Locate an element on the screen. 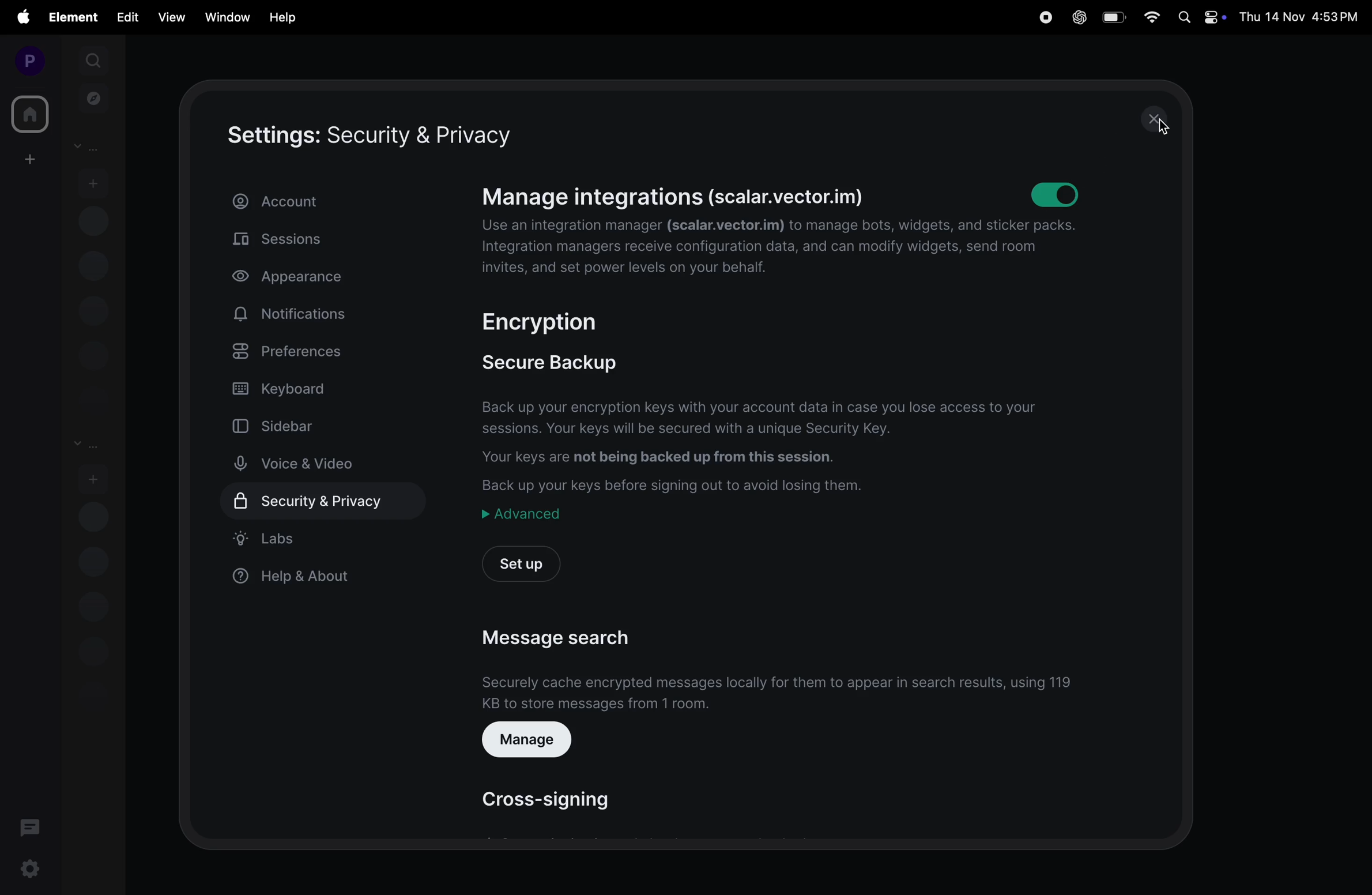  Thu 14 Nov 4:53PM is located at coordinates (1298, 16).